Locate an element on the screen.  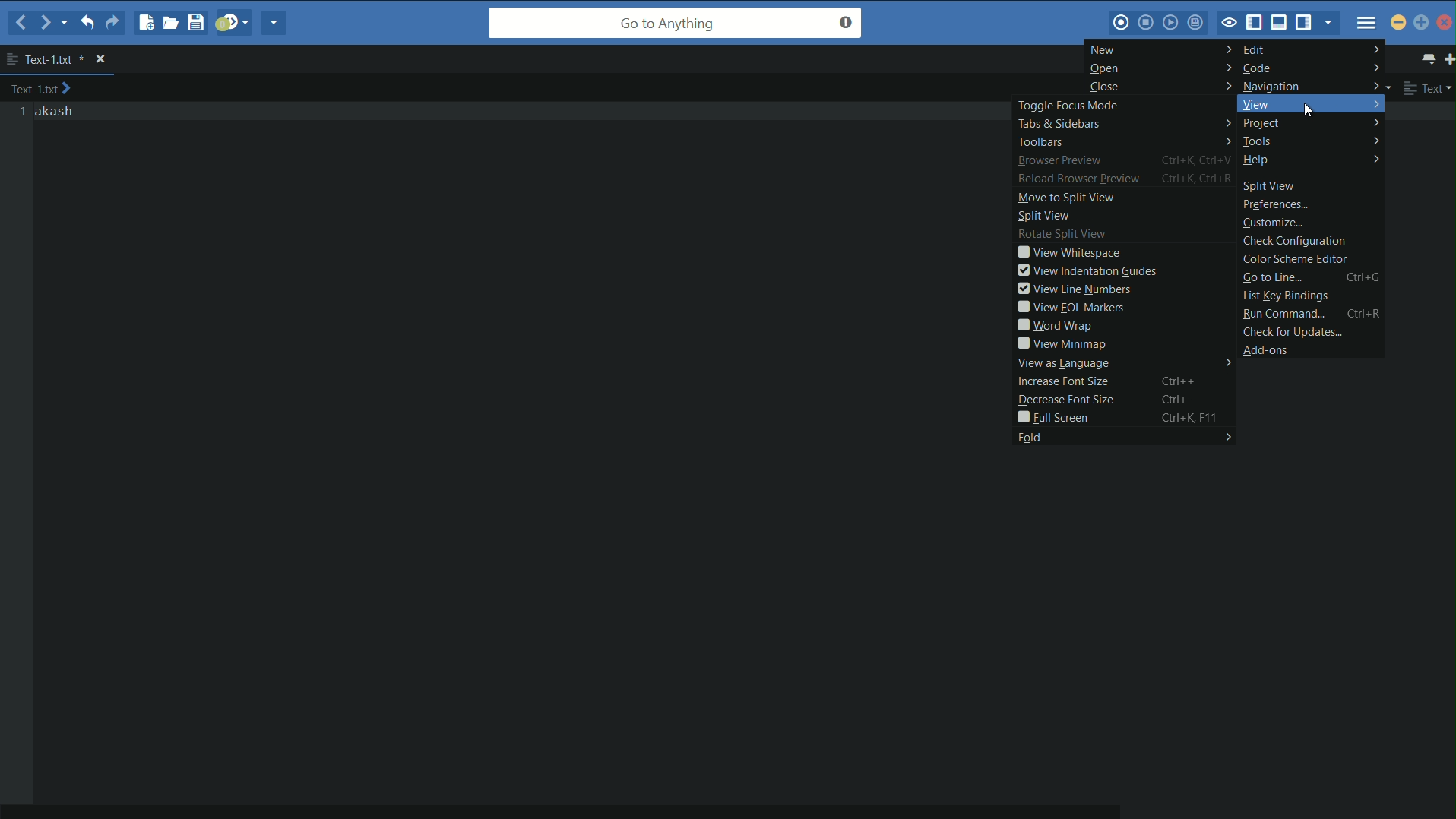
decrease font size is located at coordinates (1126, 398).